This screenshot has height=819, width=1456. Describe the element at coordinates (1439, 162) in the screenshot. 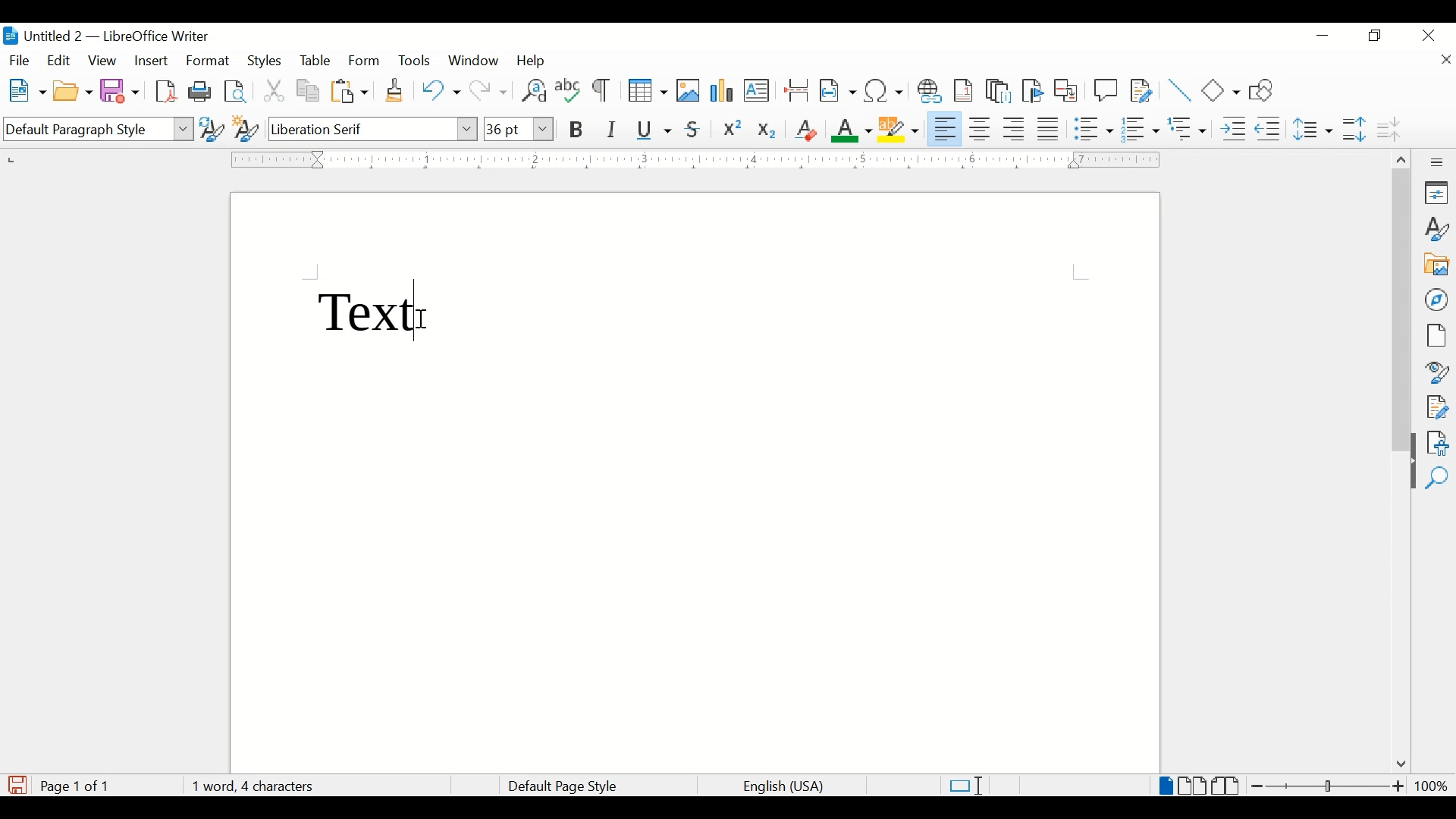

I see `more options` at that location.